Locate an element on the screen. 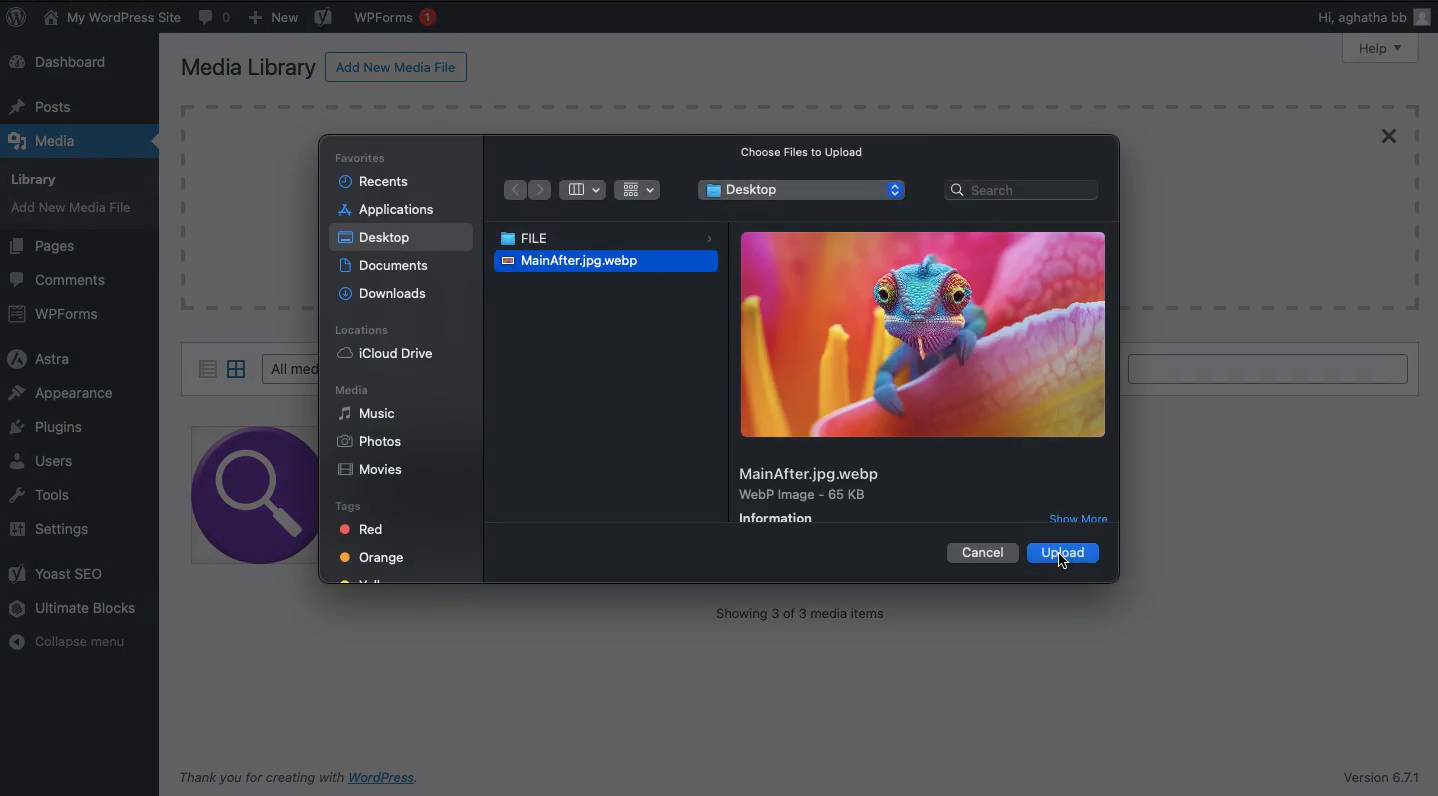  Library is located at coordinates (42, 176).